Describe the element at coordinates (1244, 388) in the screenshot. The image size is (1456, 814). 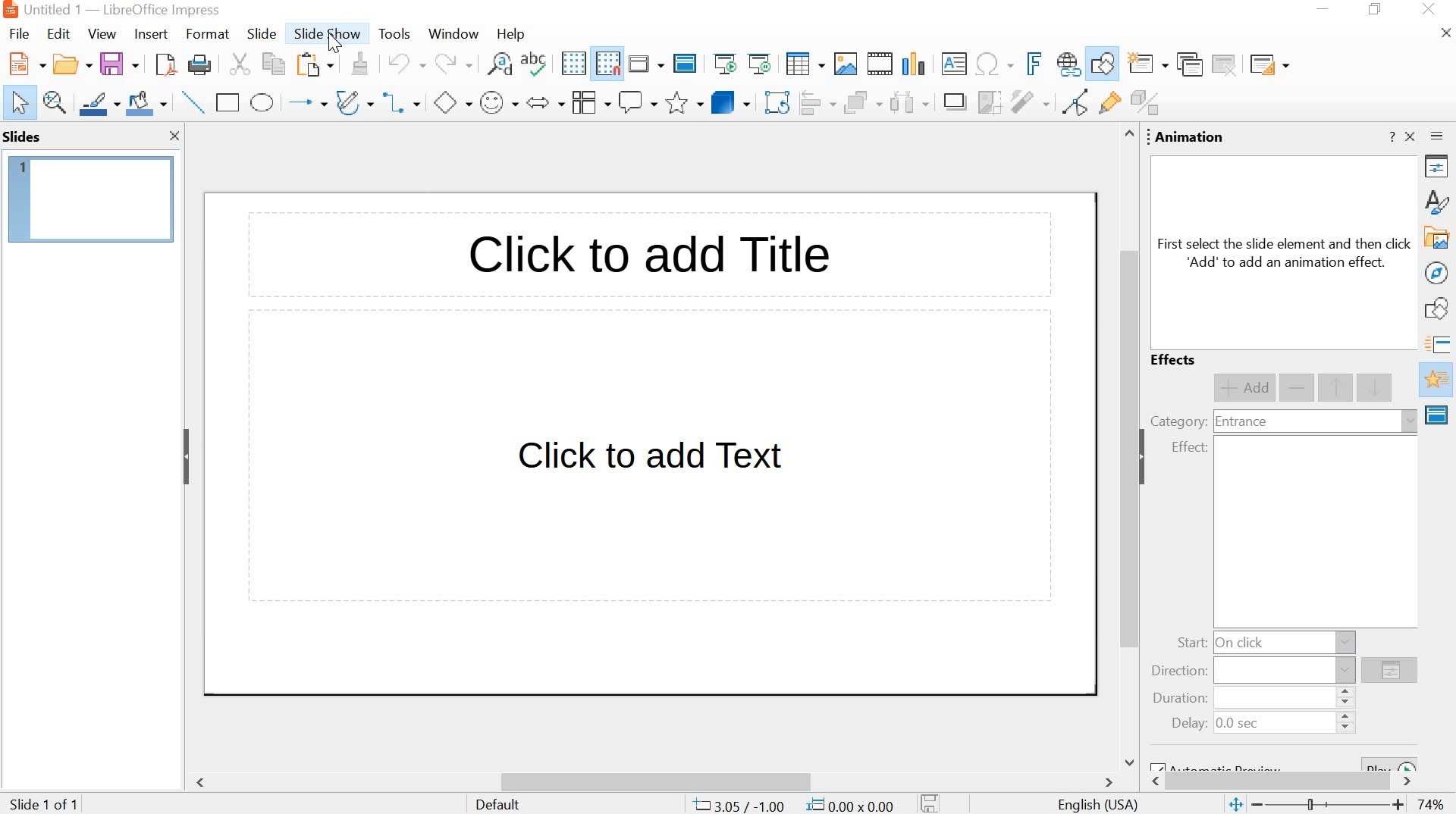
I see `add` at that location.